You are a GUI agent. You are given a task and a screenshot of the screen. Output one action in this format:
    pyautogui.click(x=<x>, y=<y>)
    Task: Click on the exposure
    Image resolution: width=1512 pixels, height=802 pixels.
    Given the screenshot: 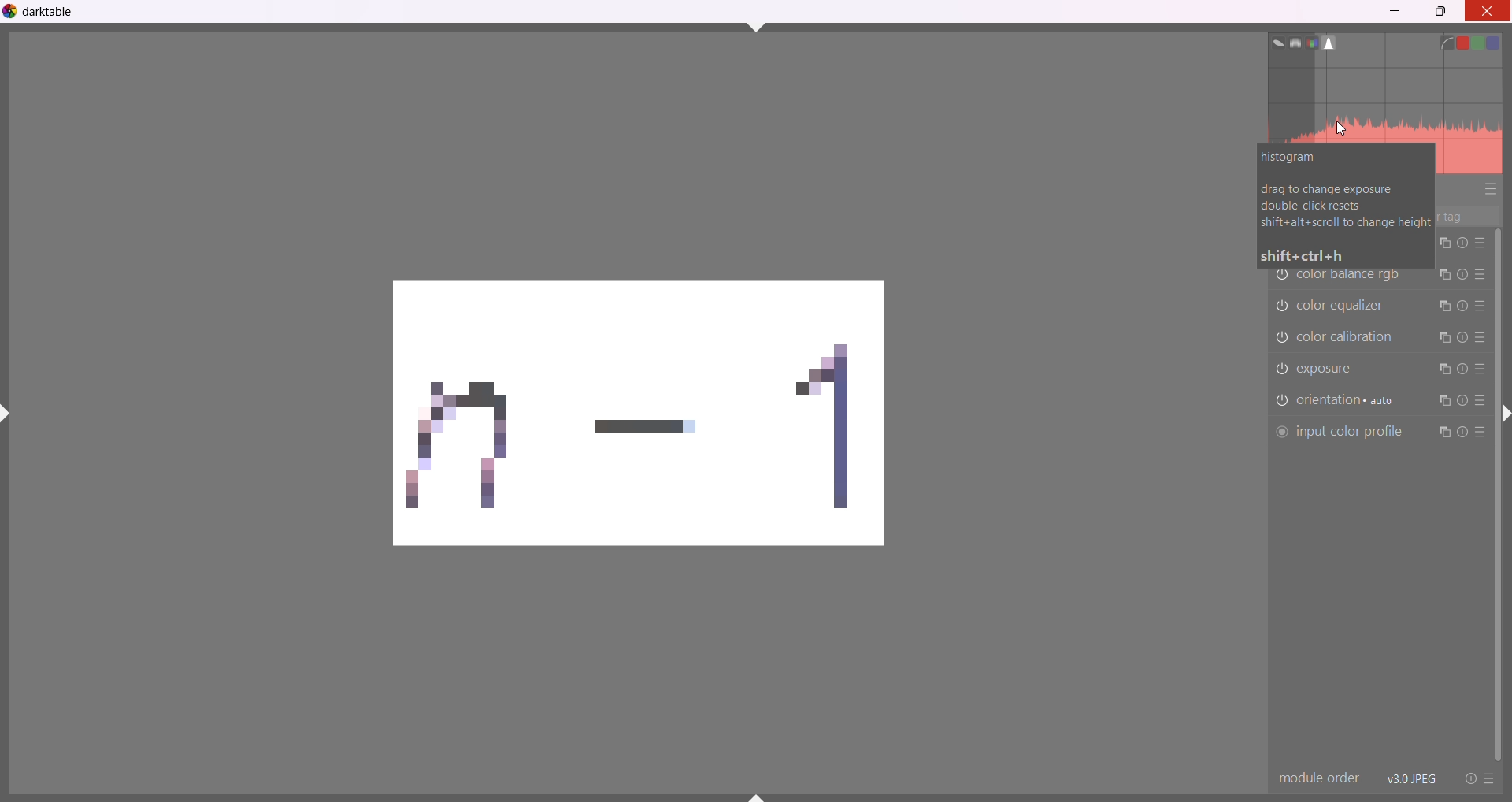 What is the action you would take?
    pyautogui.click(x=1337, y=370)
    